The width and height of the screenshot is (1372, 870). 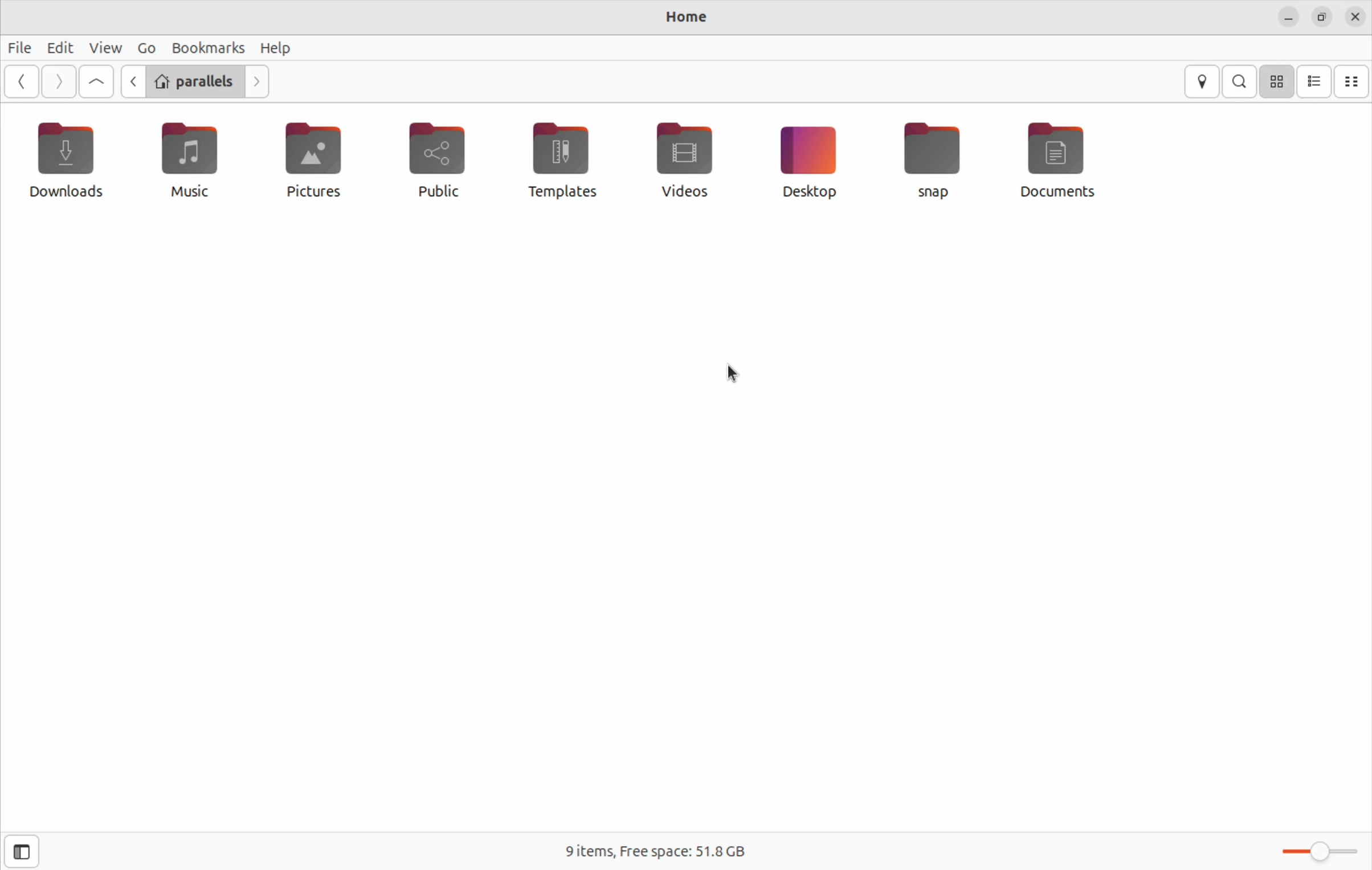 I want to click on compact size, so click(x=1353, y=81).